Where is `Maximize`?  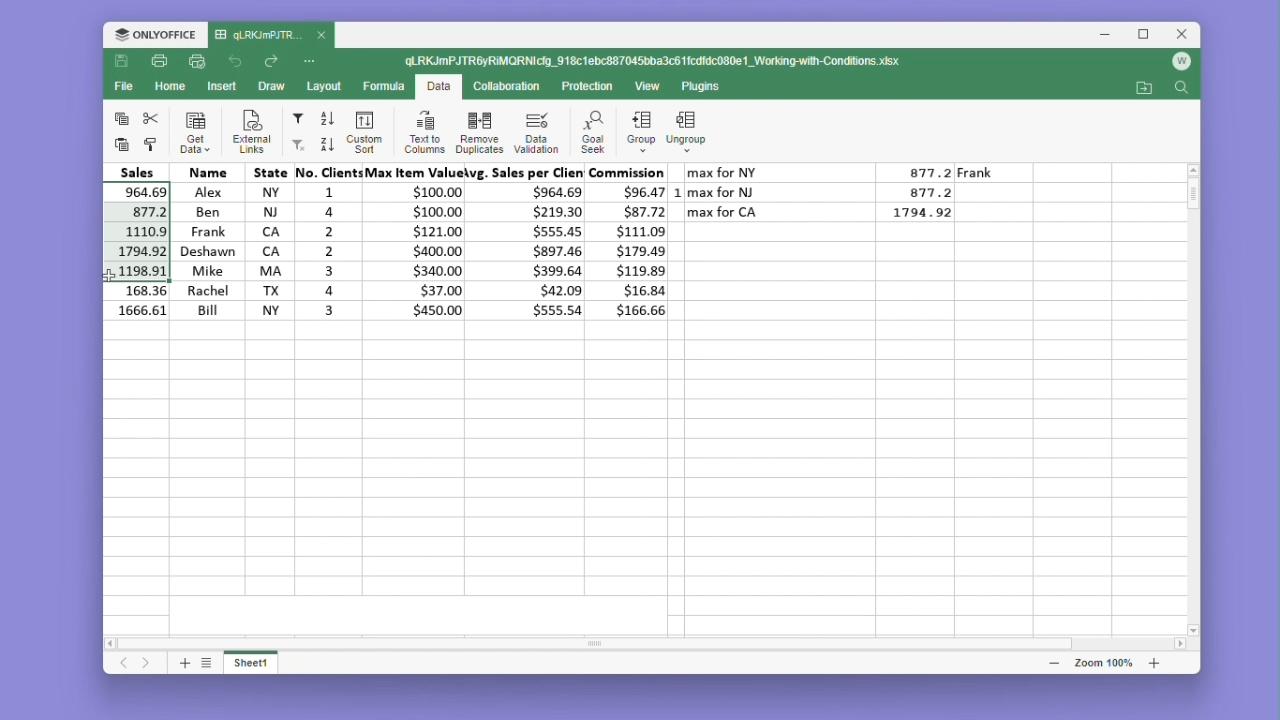 Maximize is located at coordinates (1148, 35).